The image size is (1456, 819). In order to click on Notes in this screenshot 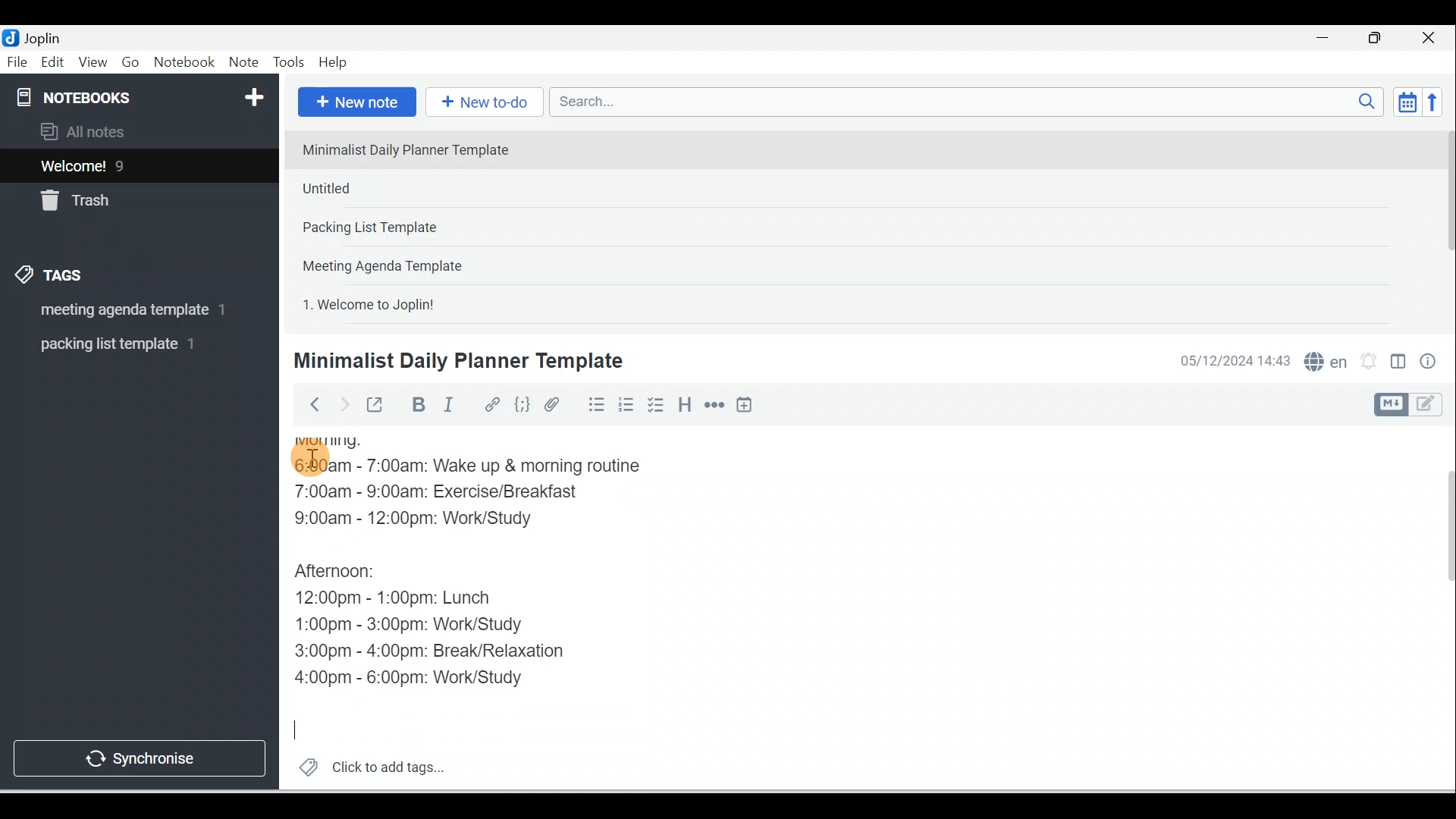, I will do `click(128, 162)`.